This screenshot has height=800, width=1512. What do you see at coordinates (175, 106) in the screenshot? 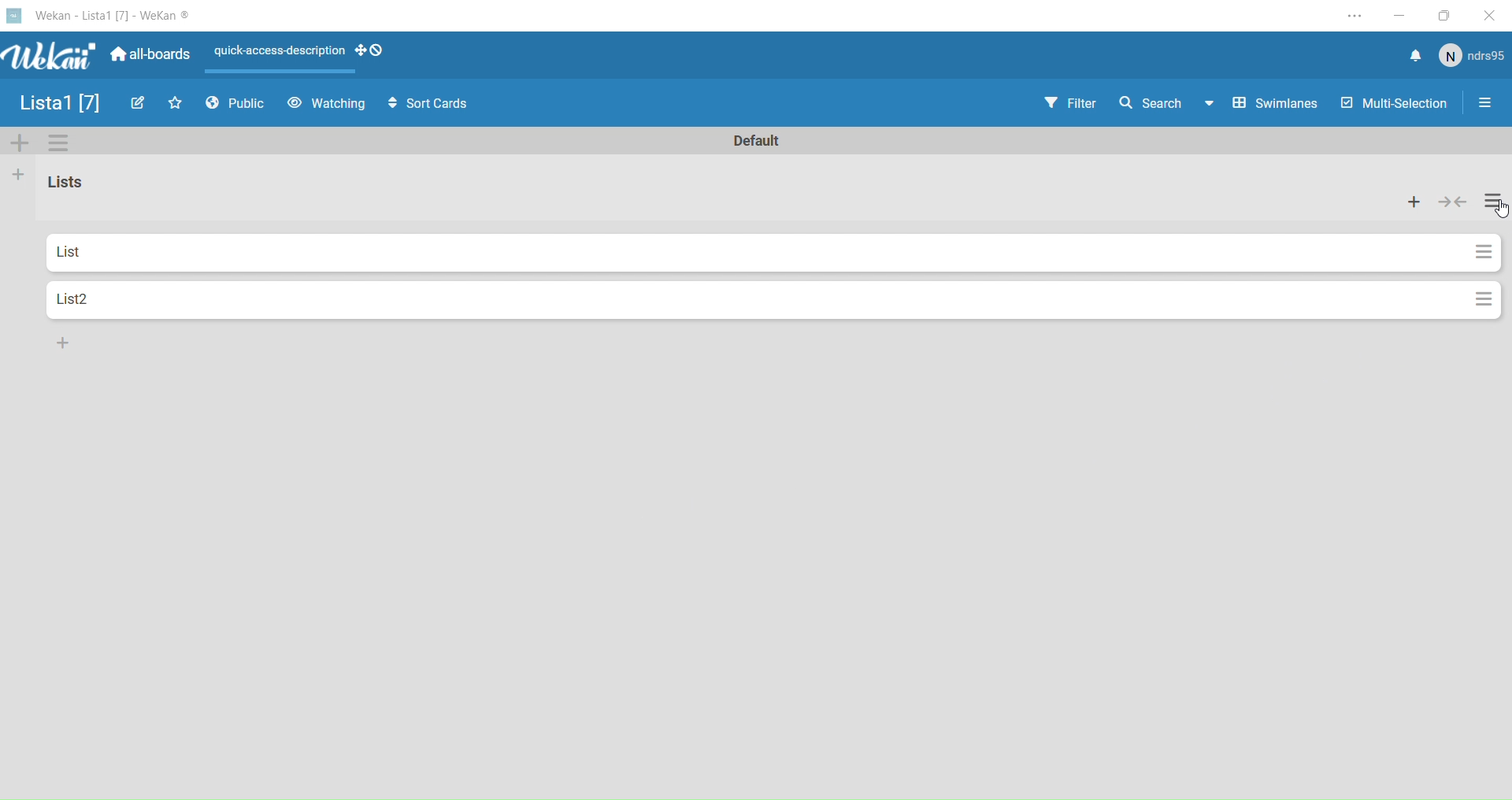
I see `Favourites` at bounding box center [175, 106].